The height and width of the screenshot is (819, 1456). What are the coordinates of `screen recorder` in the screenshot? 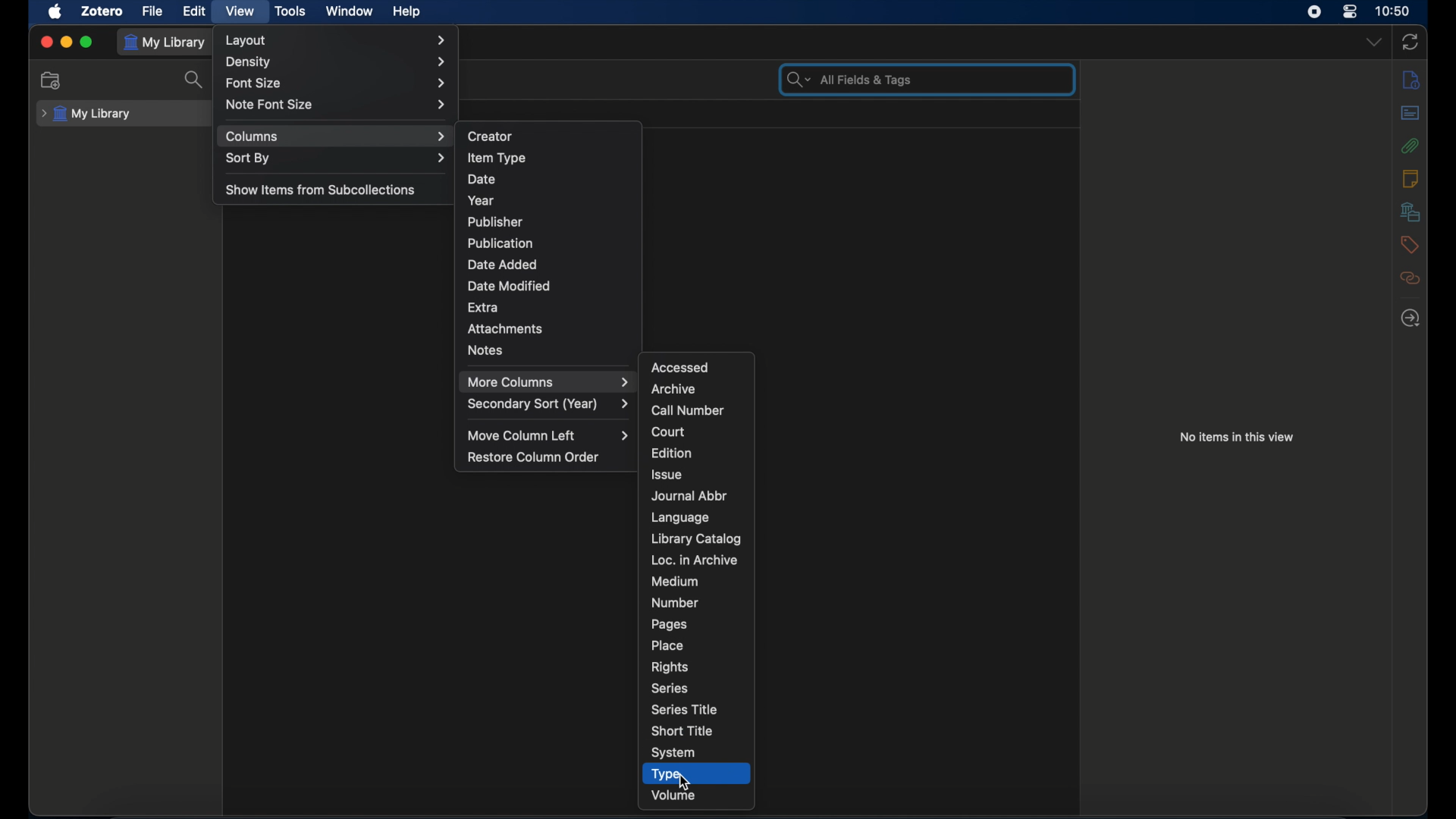 It's located at (1313, 12).